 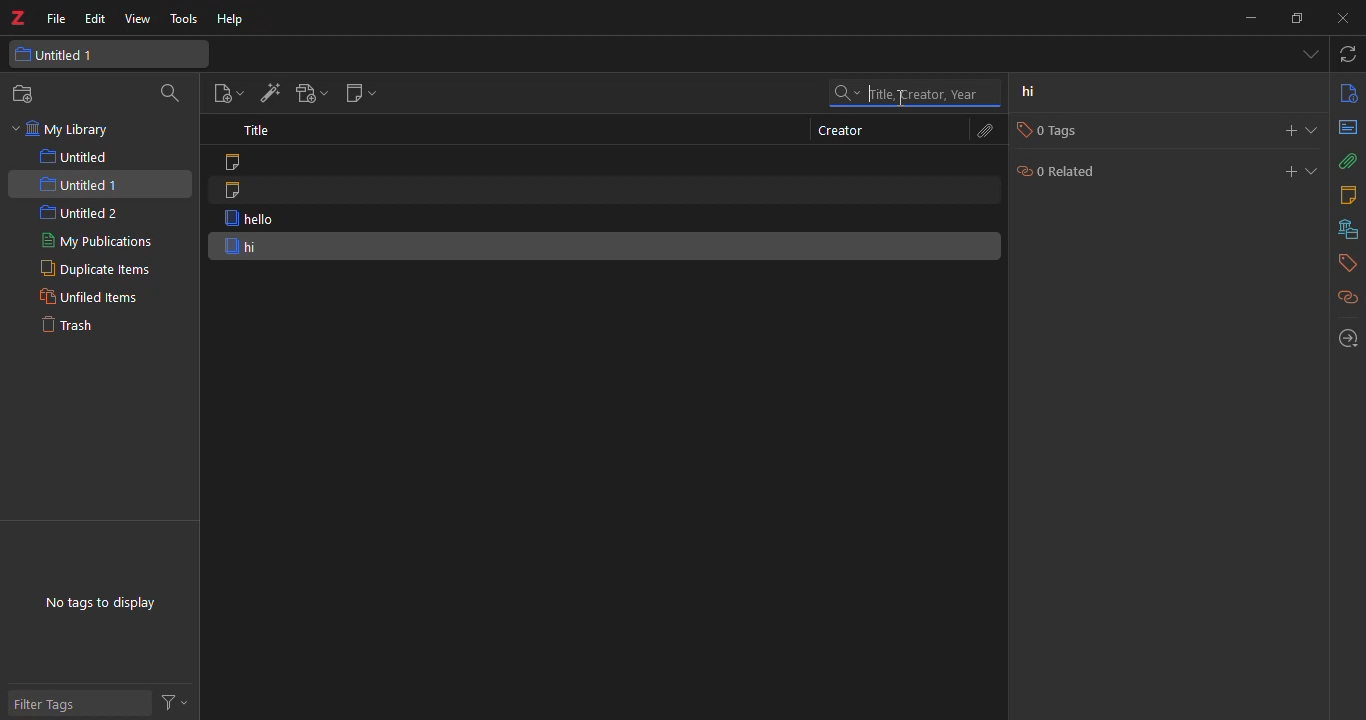 I want to click on add items, so click(x=268, y=94).